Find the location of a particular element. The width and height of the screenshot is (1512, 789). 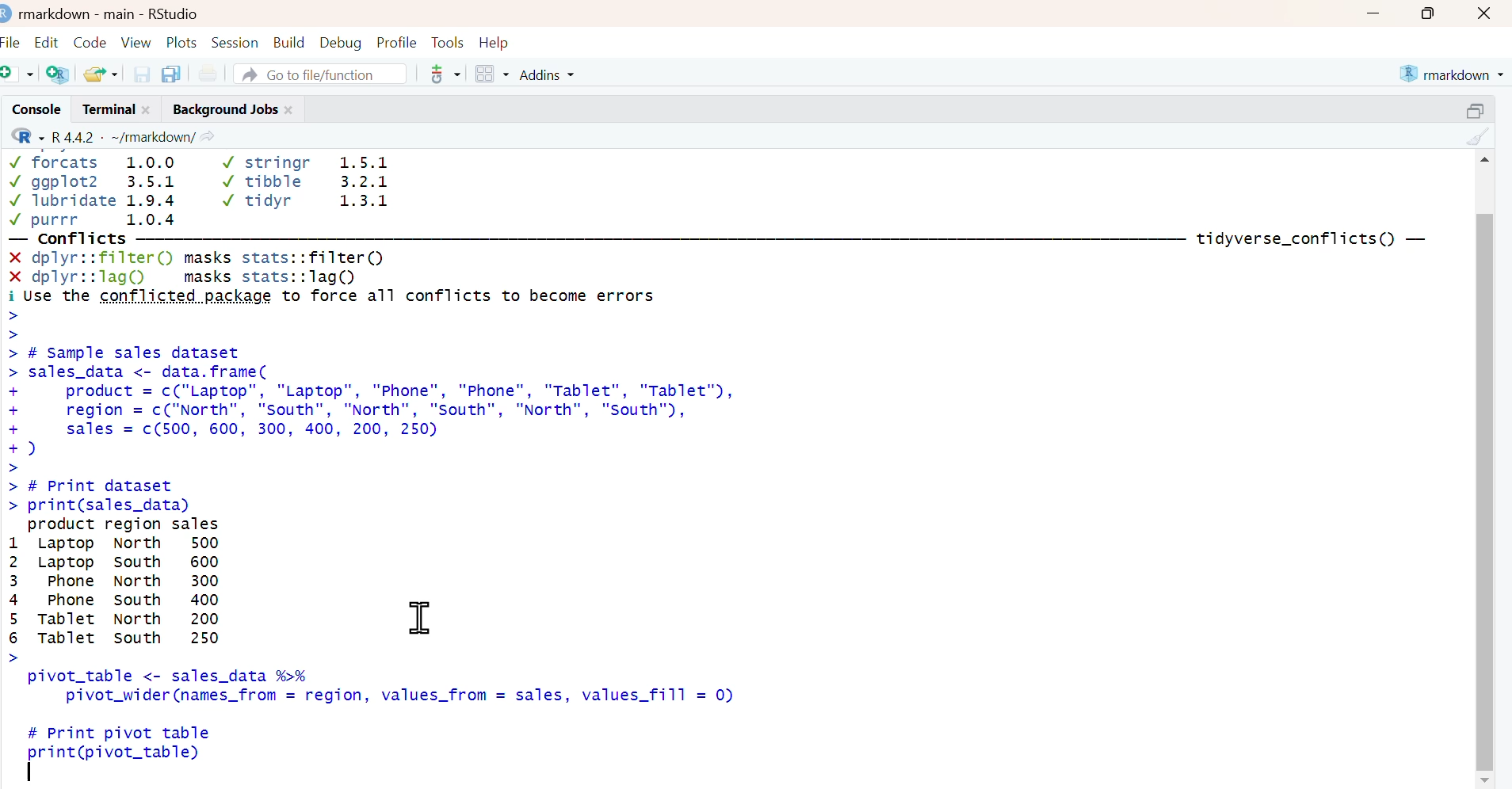

close is located at coordinates (1487, 13).